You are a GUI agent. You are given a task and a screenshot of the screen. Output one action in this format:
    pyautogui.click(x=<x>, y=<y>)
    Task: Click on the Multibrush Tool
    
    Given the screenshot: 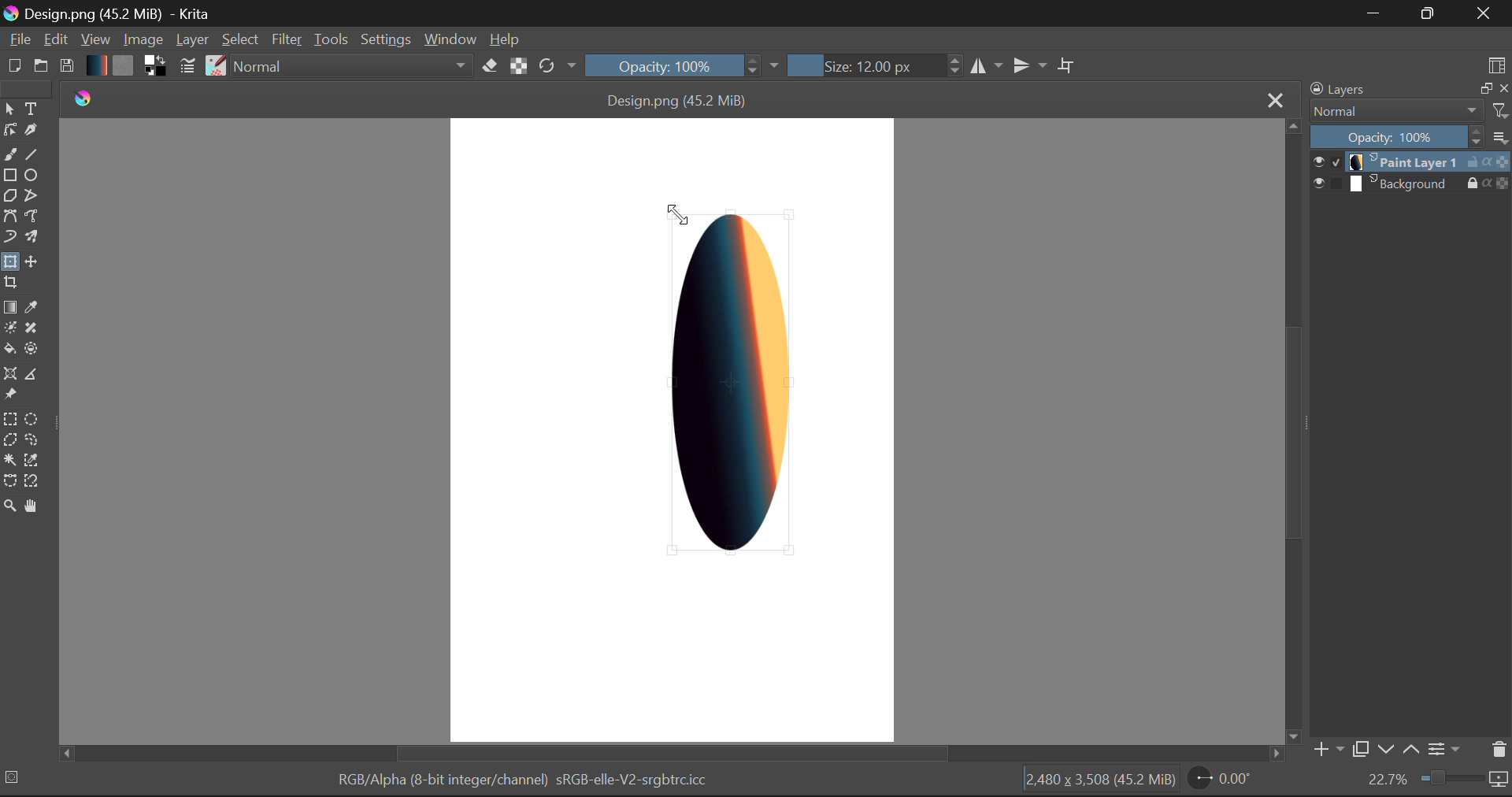 What is the action you would take?
    pyautogui.click(x=30, y=237)
    